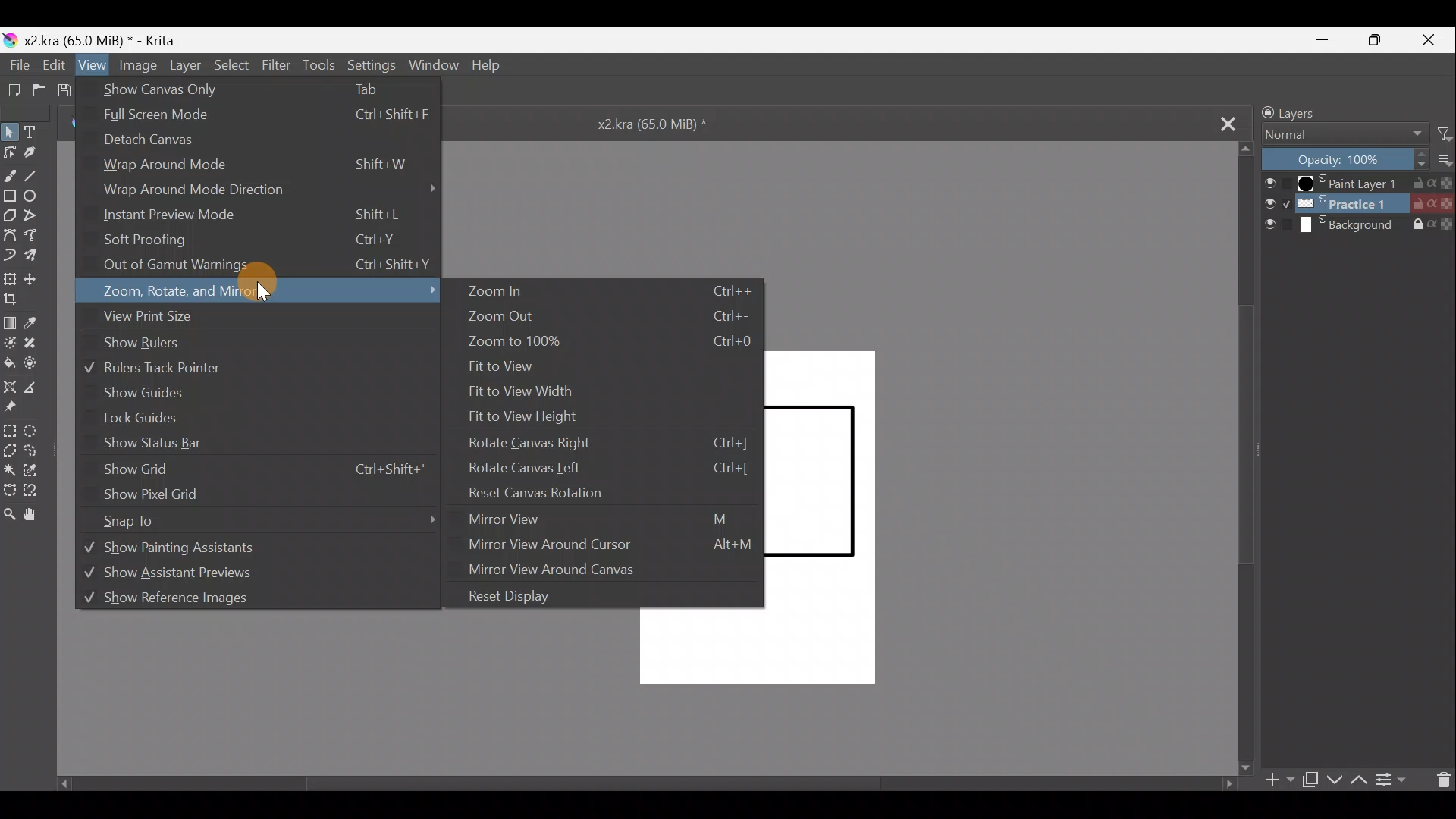 This screenshot has width=1456, height=819. What do you see at coordinates (1346, 136) in the screenshot?
I see `Blending mode` at bounding box center [1346, 136].